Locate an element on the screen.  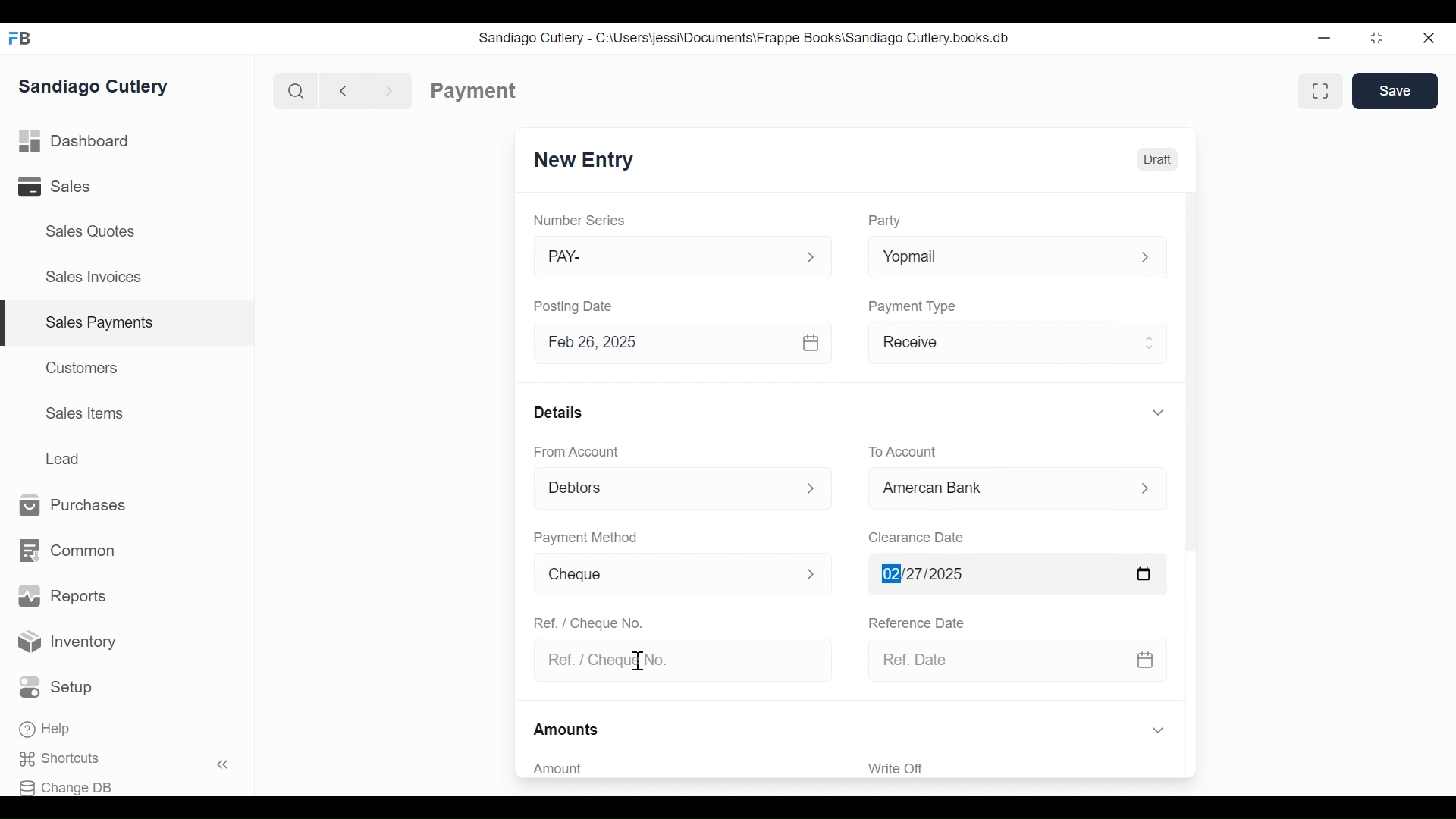
Reports is located at coordinates (62, 596).